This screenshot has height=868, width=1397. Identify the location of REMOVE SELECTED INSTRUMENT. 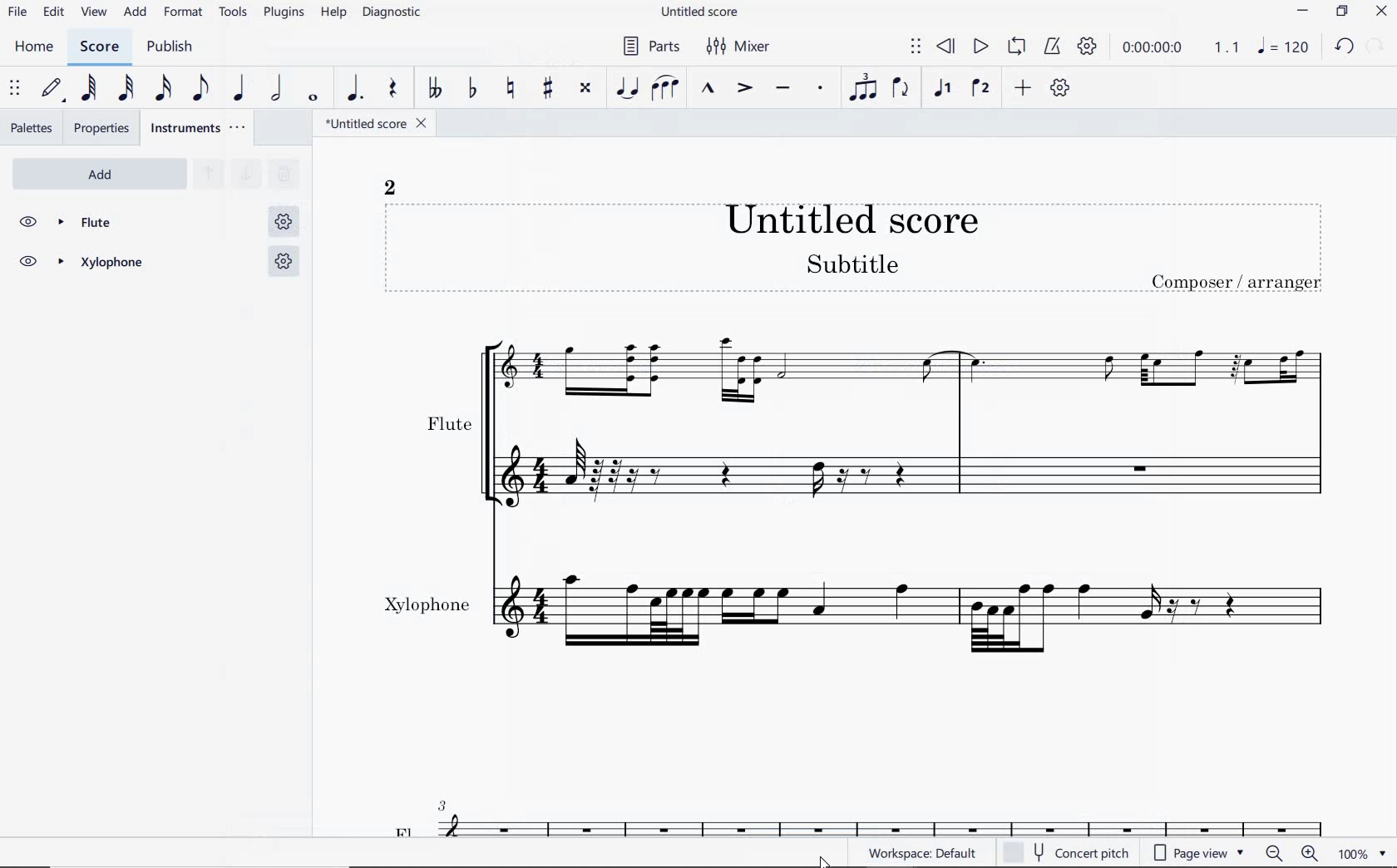
(284, 177).